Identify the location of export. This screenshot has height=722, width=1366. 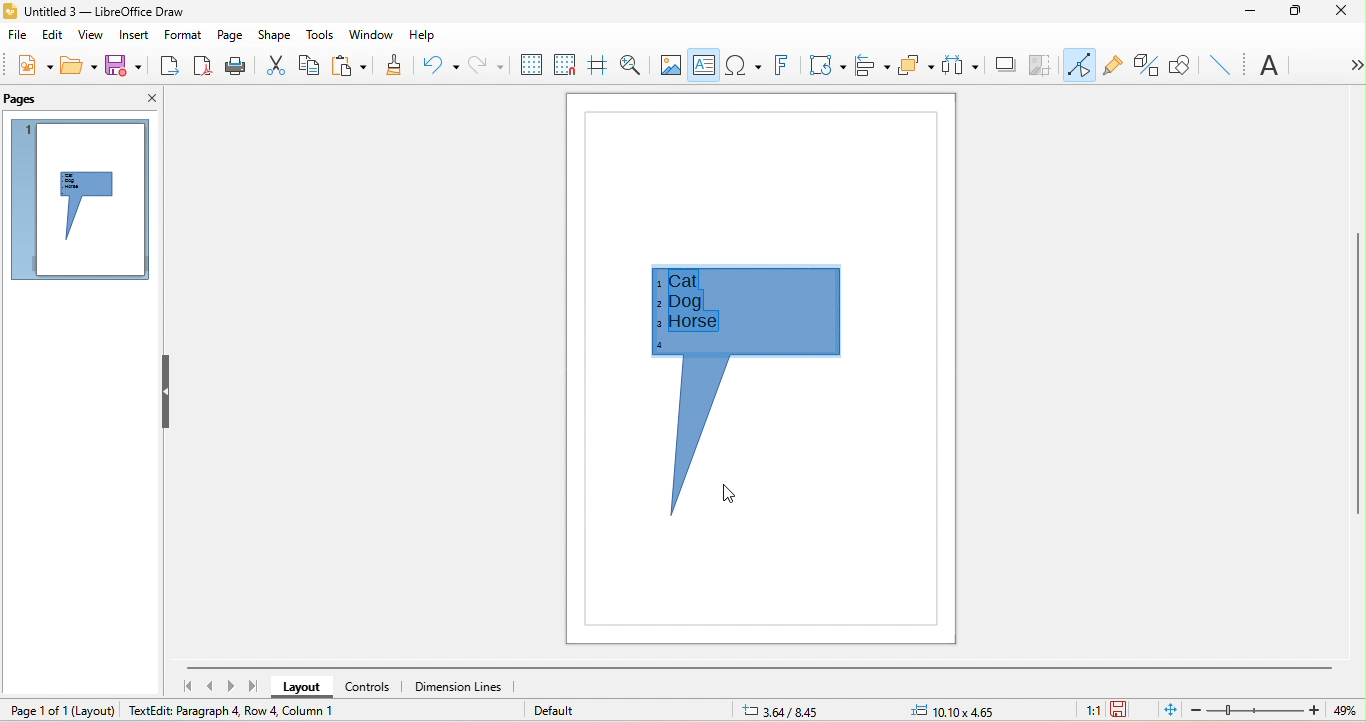
(168, 66).